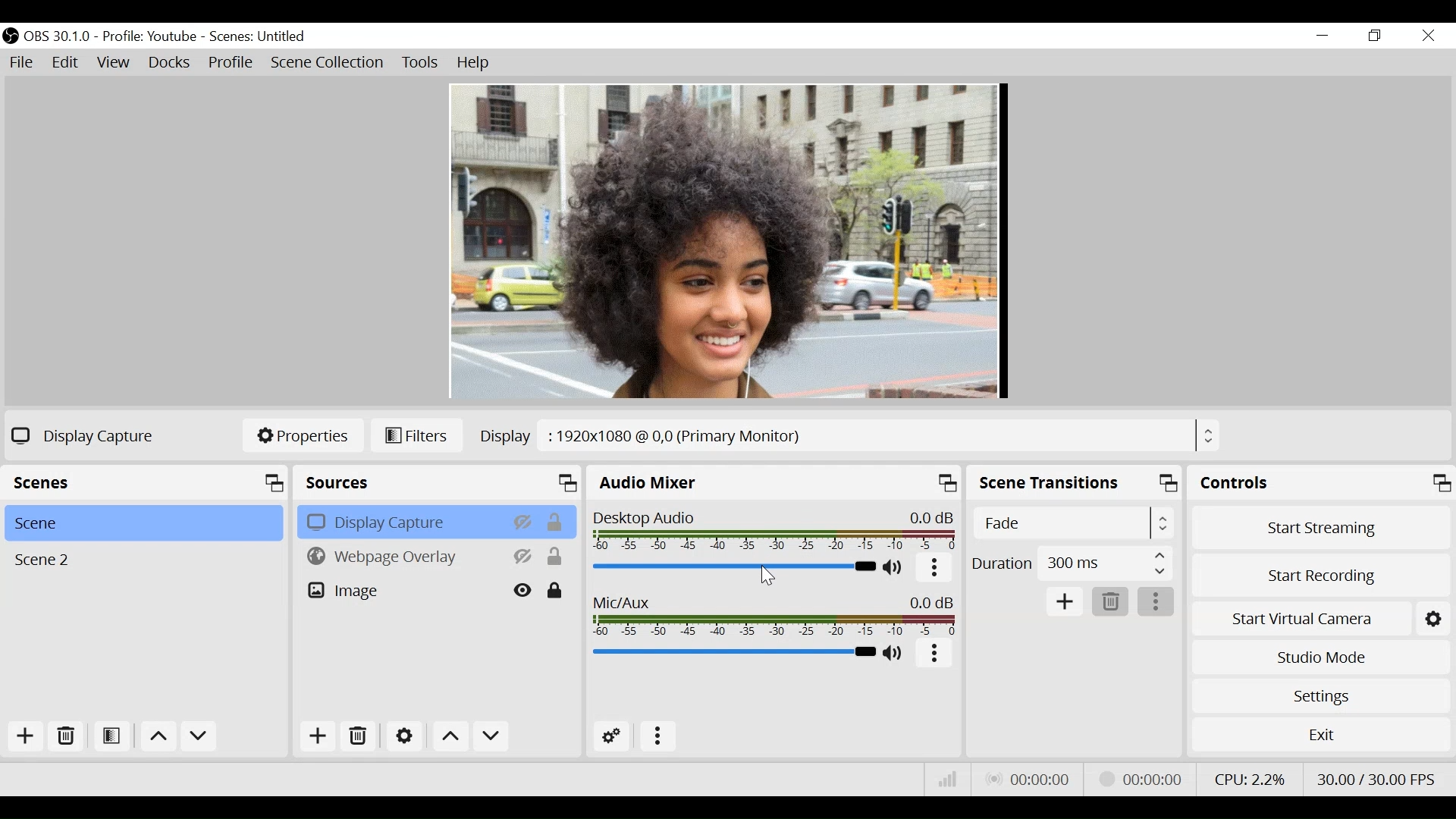 This screenshot has width=1456, height=819. What do you see at coordinates (198, 736) in the screenshot?
I see `Move down` at bounding box center [198, 736].